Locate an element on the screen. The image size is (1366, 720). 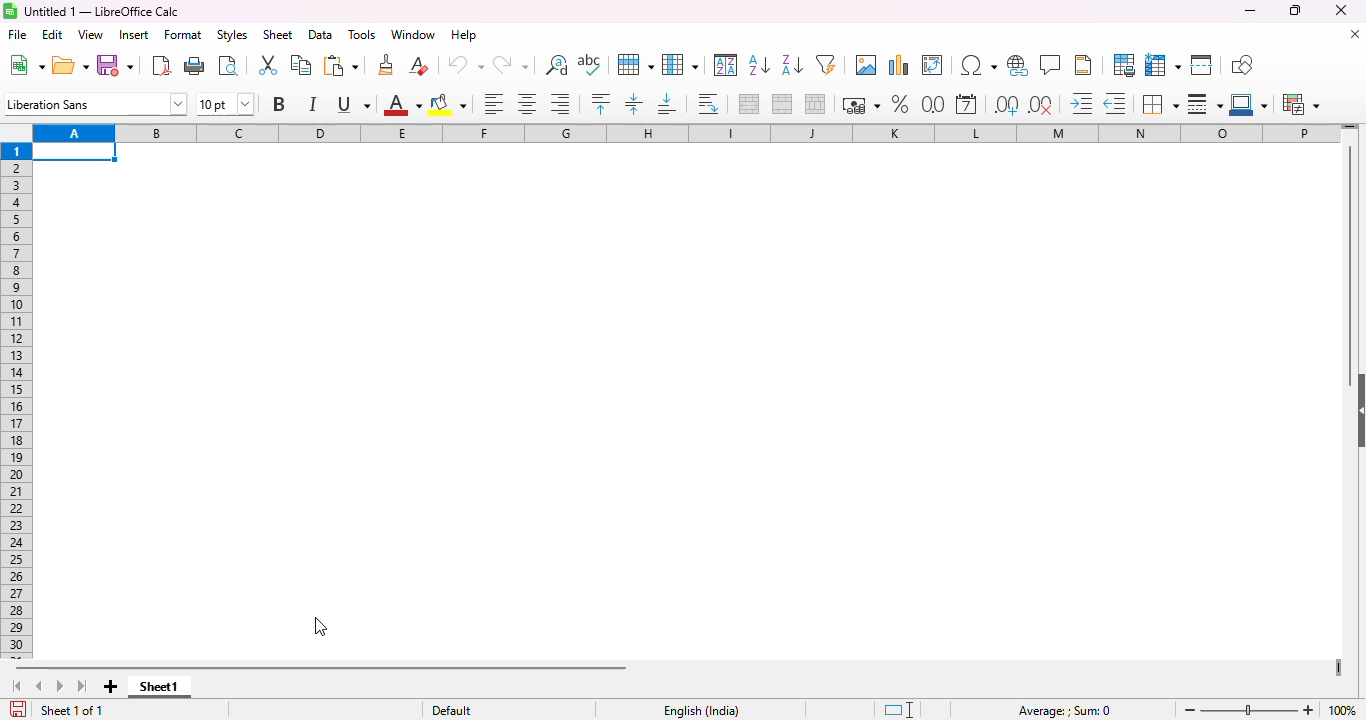
format as date is located at coordinates (968, 104).